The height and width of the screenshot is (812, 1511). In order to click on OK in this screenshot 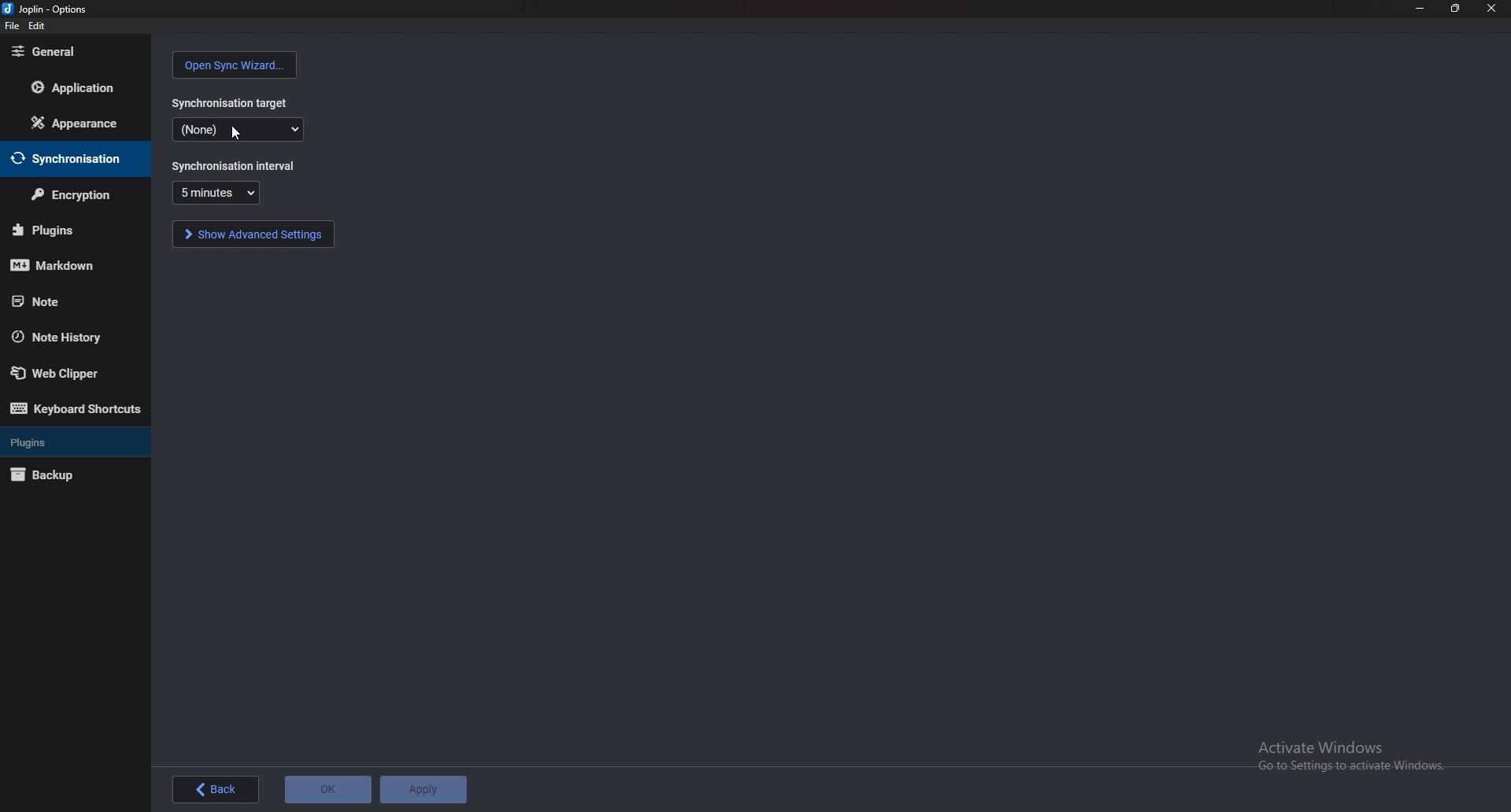, I will do `click(329, 788)`.